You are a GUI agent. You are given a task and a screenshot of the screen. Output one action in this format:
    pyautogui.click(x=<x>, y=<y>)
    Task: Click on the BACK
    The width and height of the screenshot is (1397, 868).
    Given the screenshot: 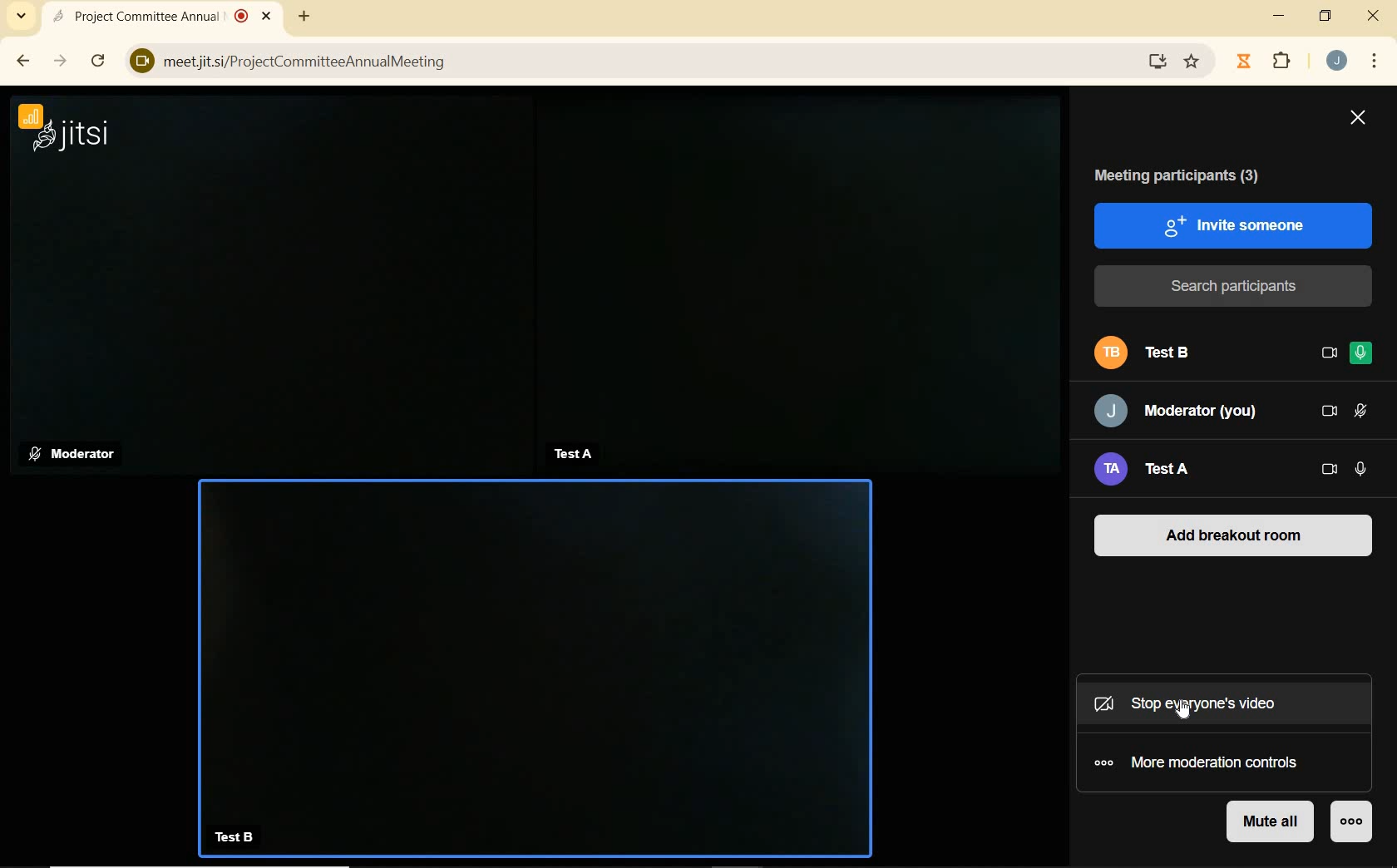 What is the action you would take?
    pyautogui.click(x=22, y=62)
    